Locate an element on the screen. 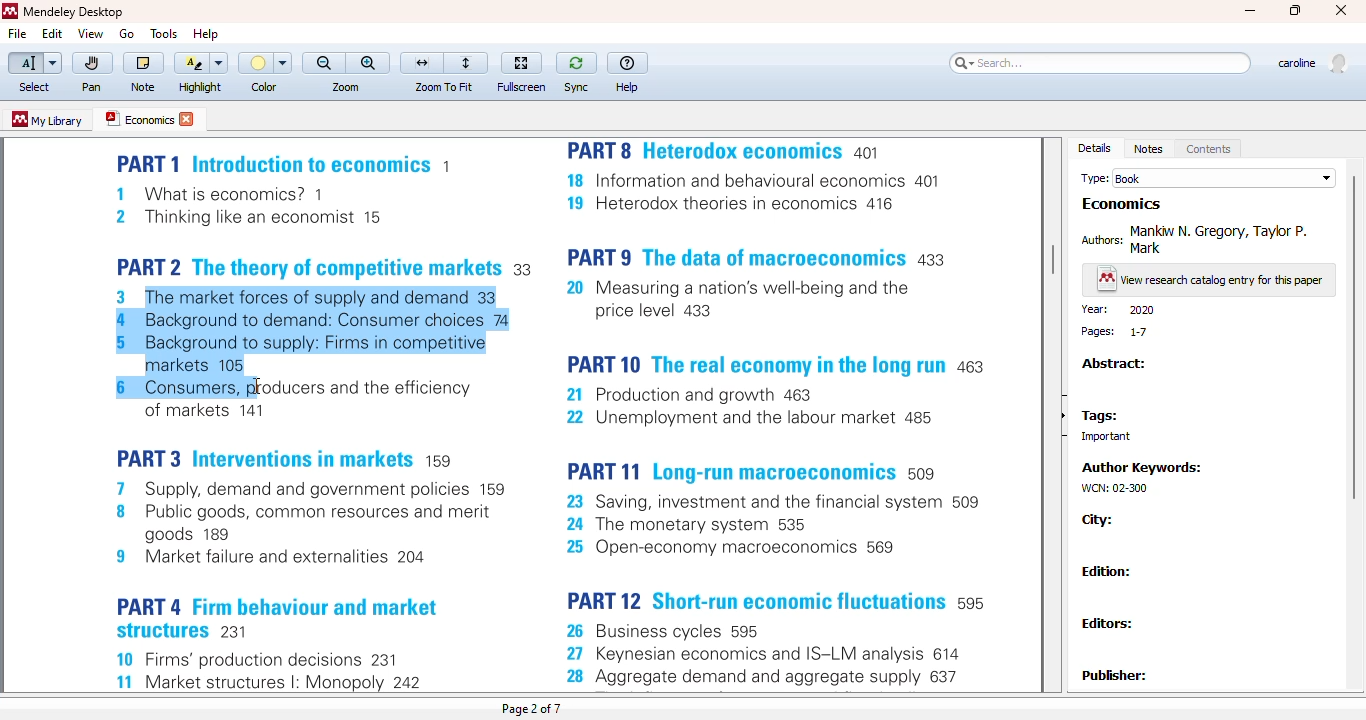 The height and width of the screenshot is (720, 1366). fullscreen is located at coordinates (522, 87).